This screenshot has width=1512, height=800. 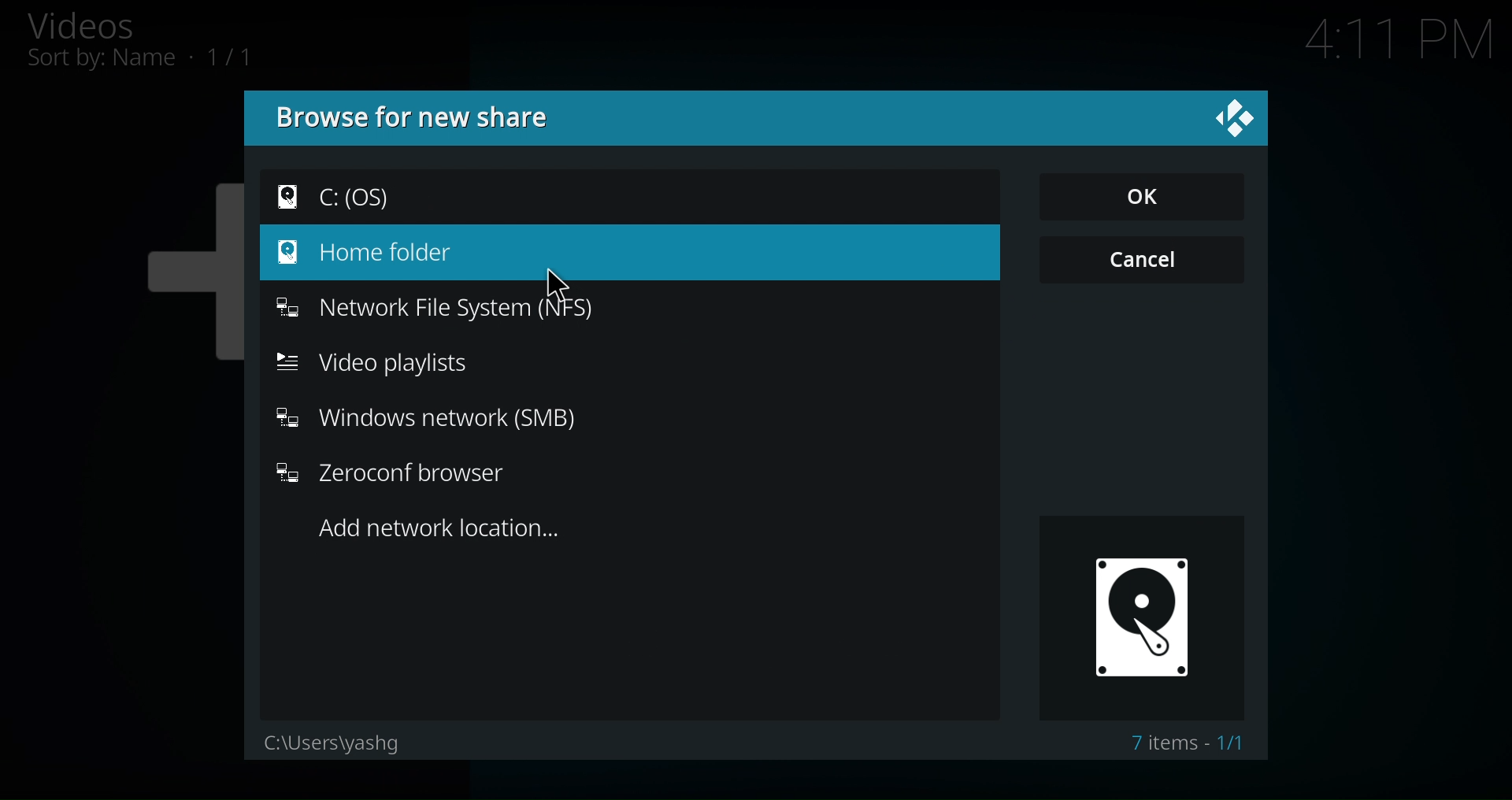 I want to click on Video playlist, so click(x=379, y=364).